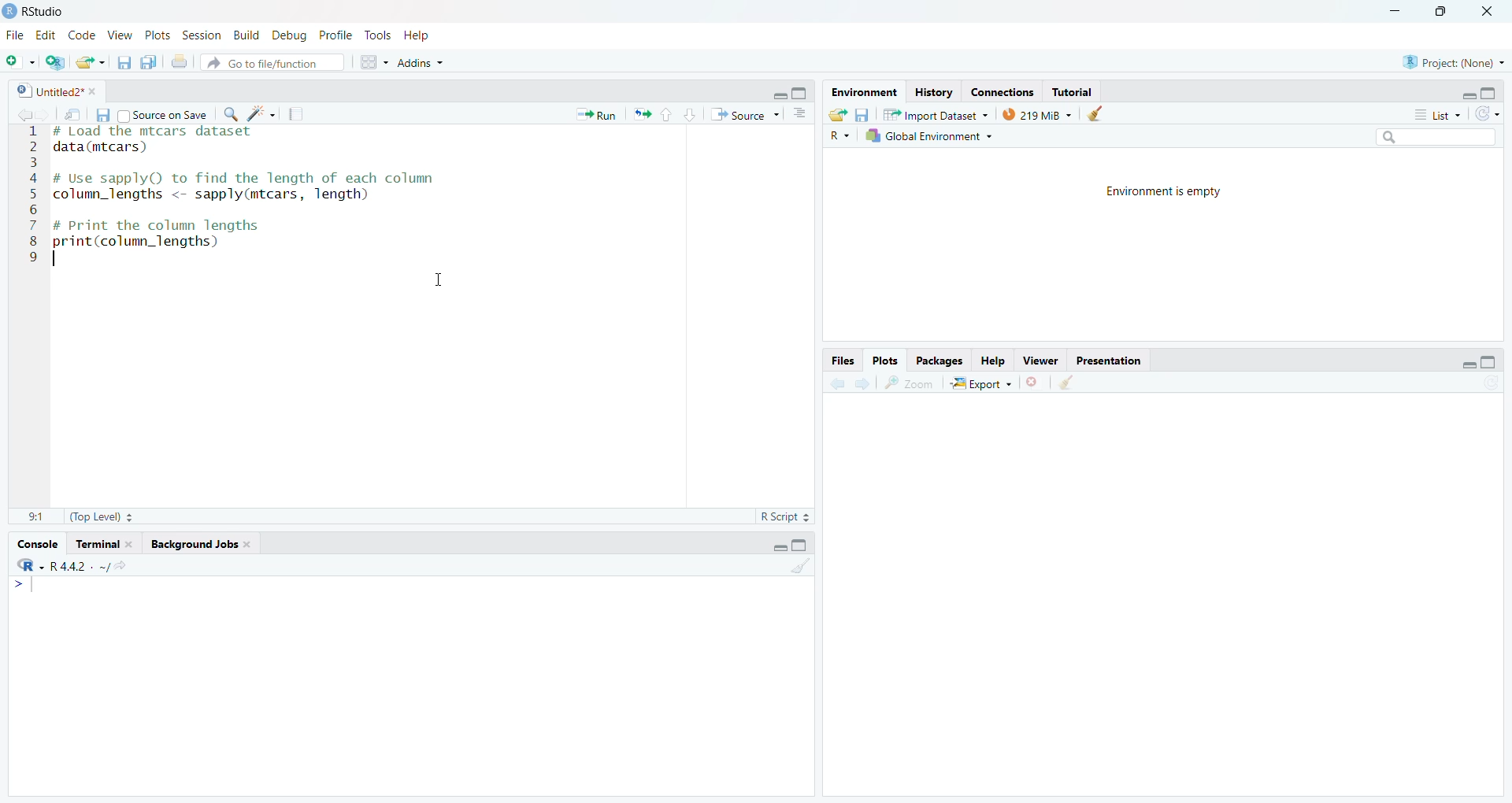 This screenshot has width=1512, height=803. I want to click on Tools, so click(380, 35).